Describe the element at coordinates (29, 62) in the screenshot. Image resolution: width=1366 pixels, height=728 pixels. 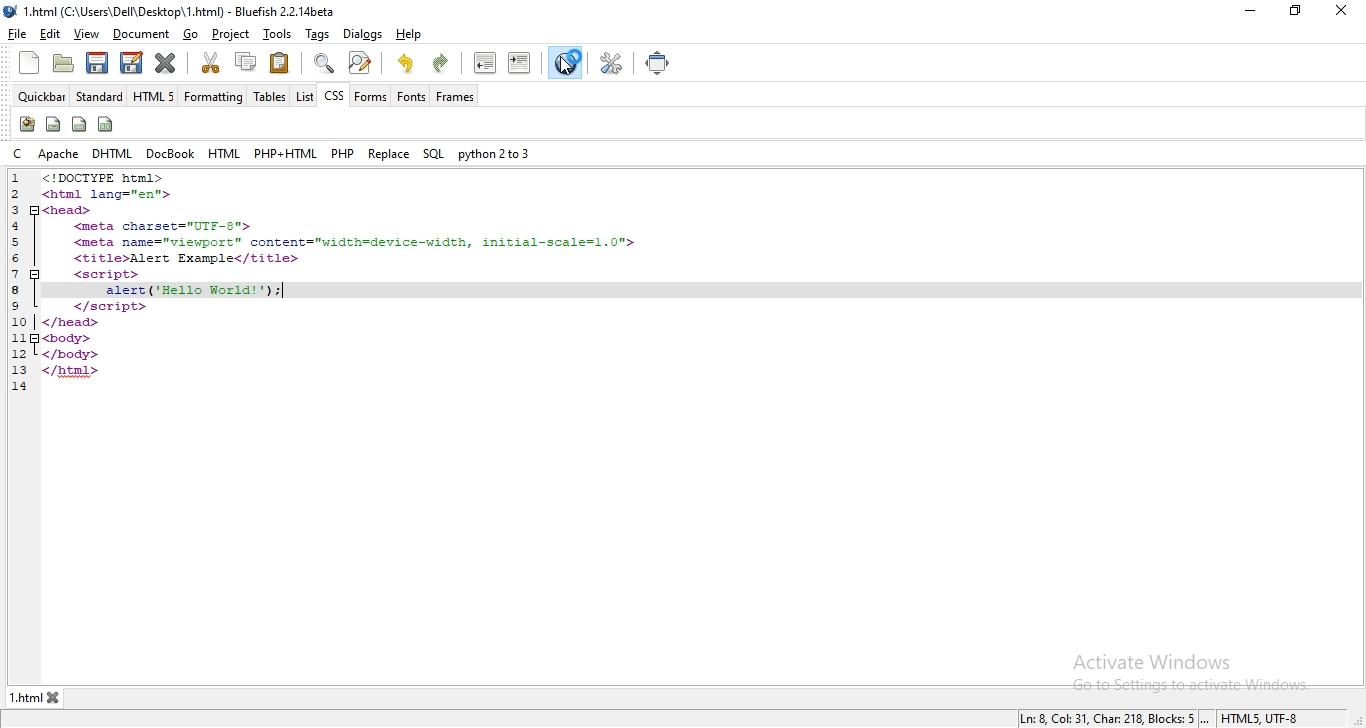
I see `new file` at that location.